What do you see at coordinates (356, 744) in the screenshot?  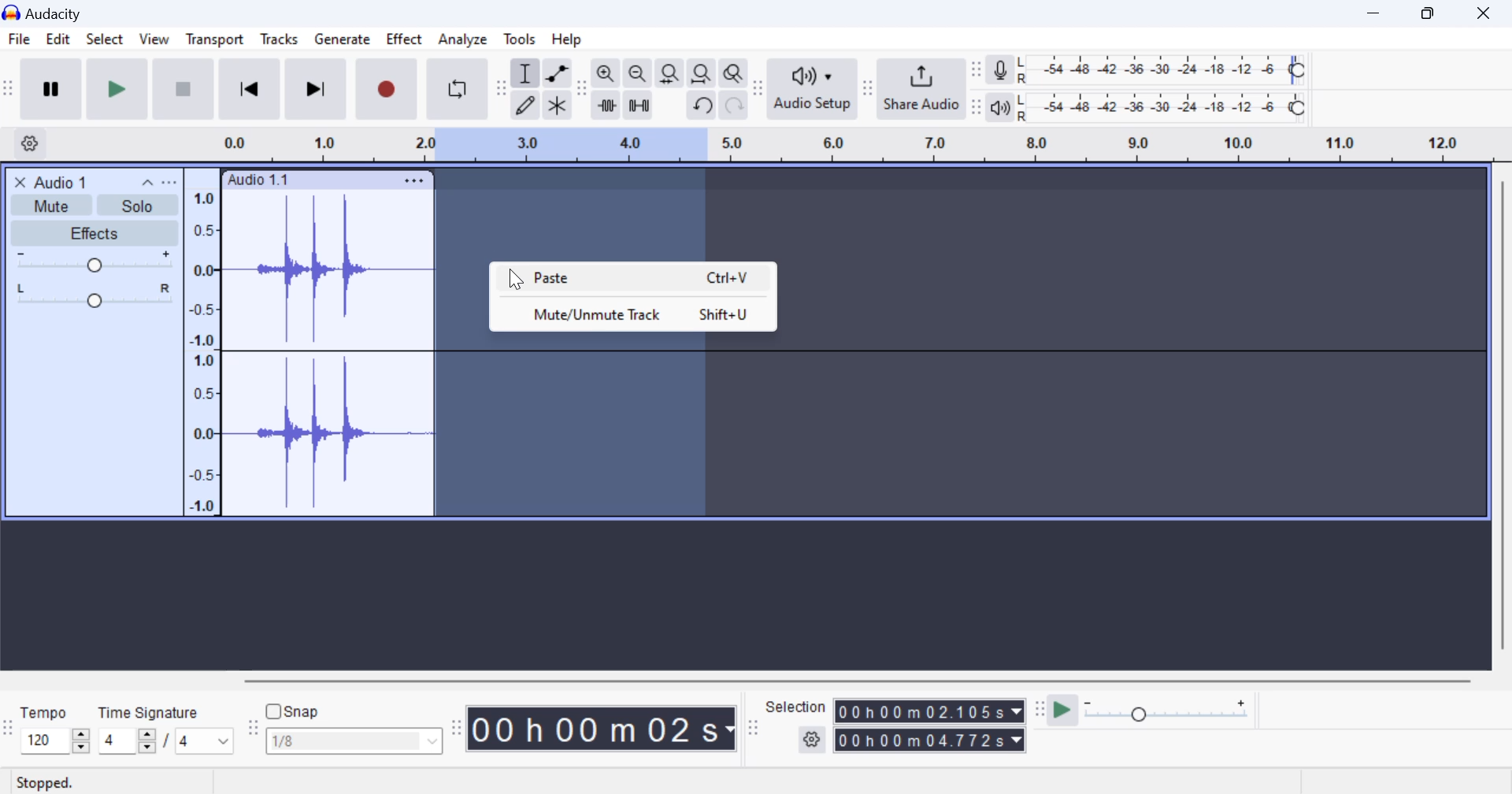 I see `Snap options` at bounding box center [356, 744].